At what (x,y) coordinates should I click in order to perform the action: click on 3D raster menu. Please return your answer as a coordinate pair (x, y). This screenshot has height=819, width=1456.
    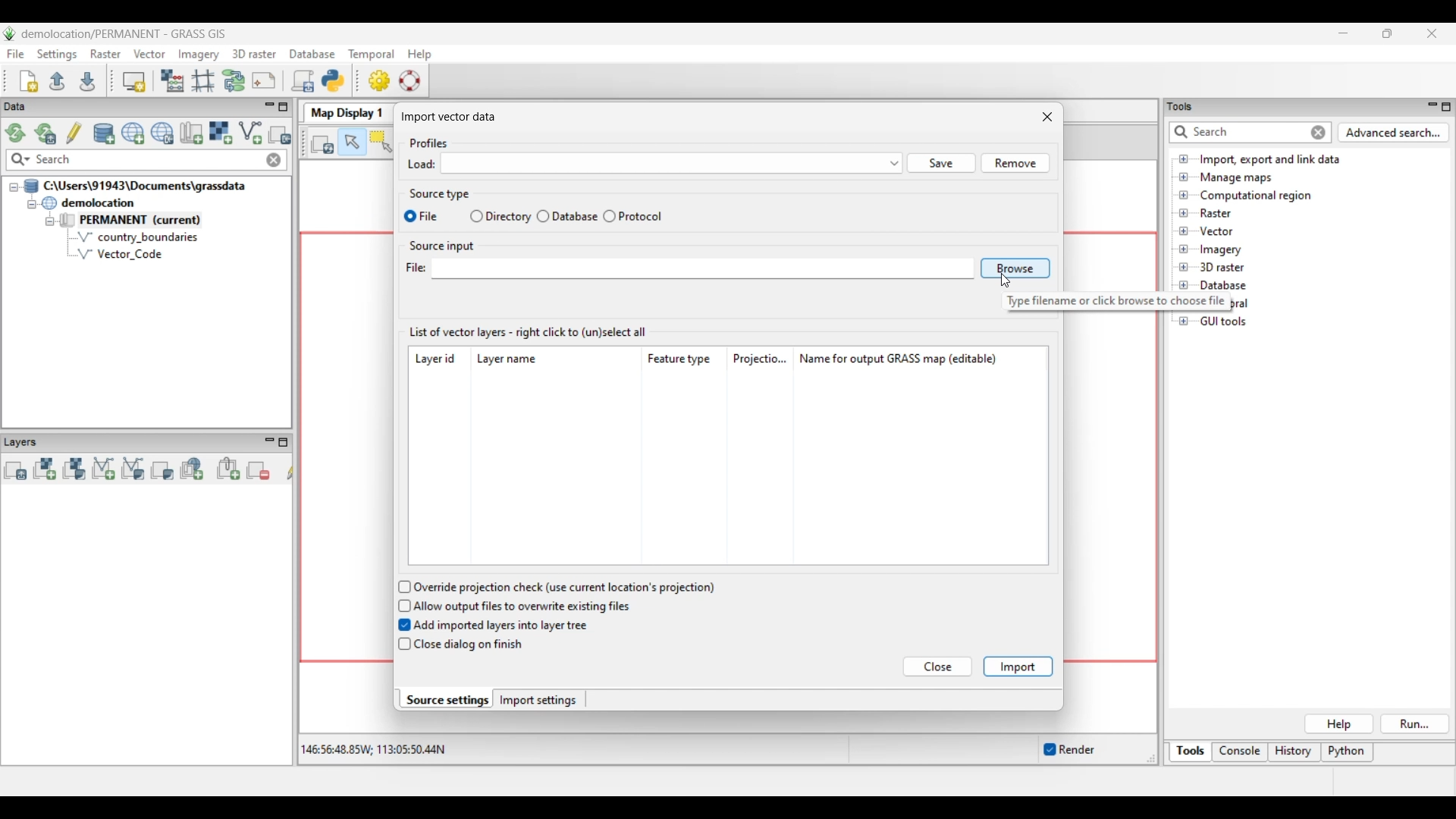
    Looking at the image, I should click on (254, 53).